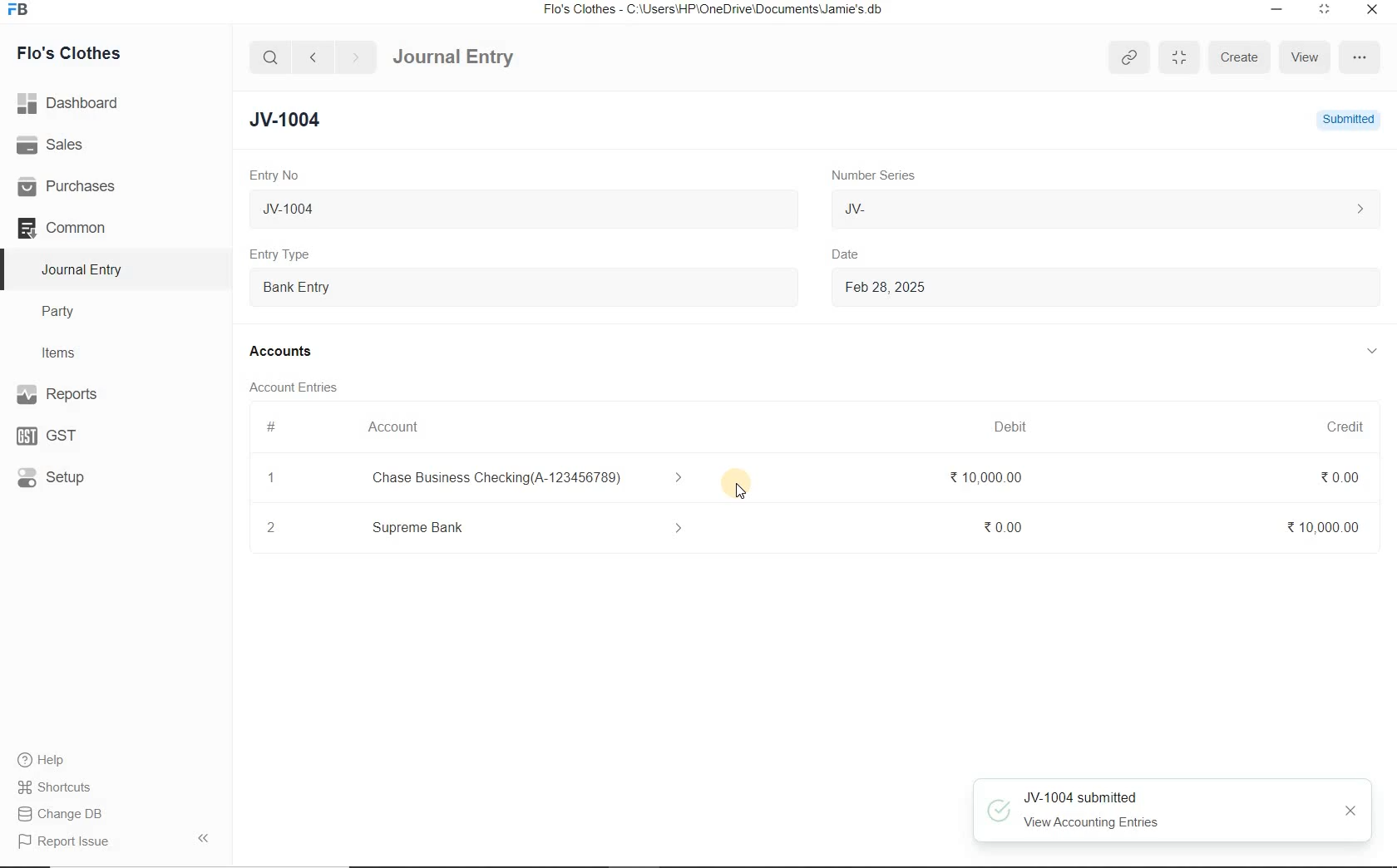 This screenshot has width=1397, height=868. What do you see at coordinates (272, 427) in the screenshot?
I see `#` at bounding box center [272, 427].